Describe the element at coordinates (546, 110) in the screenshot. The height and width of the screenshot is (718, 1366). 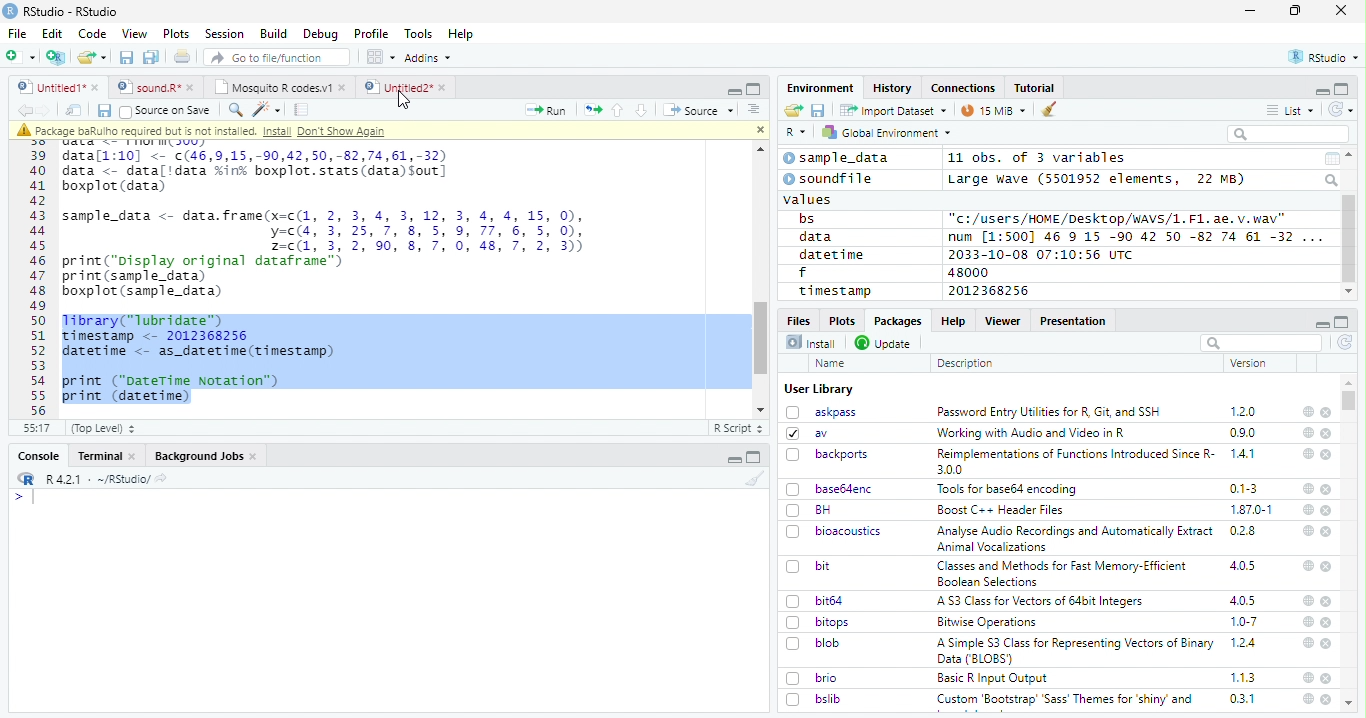
I see `Run the current line` at that location.